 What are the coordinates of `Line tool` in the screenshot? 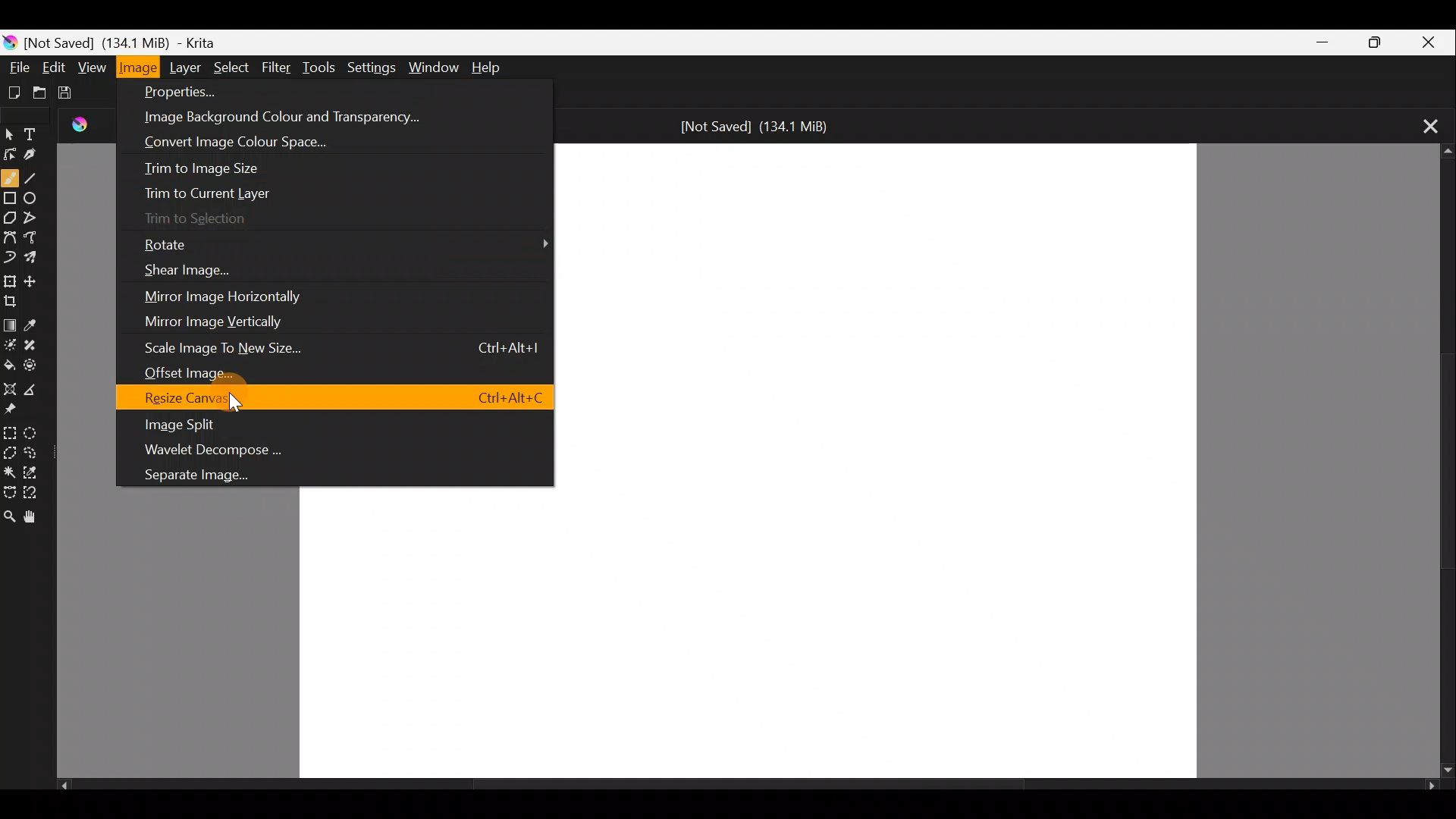 It's located at (35, 178).